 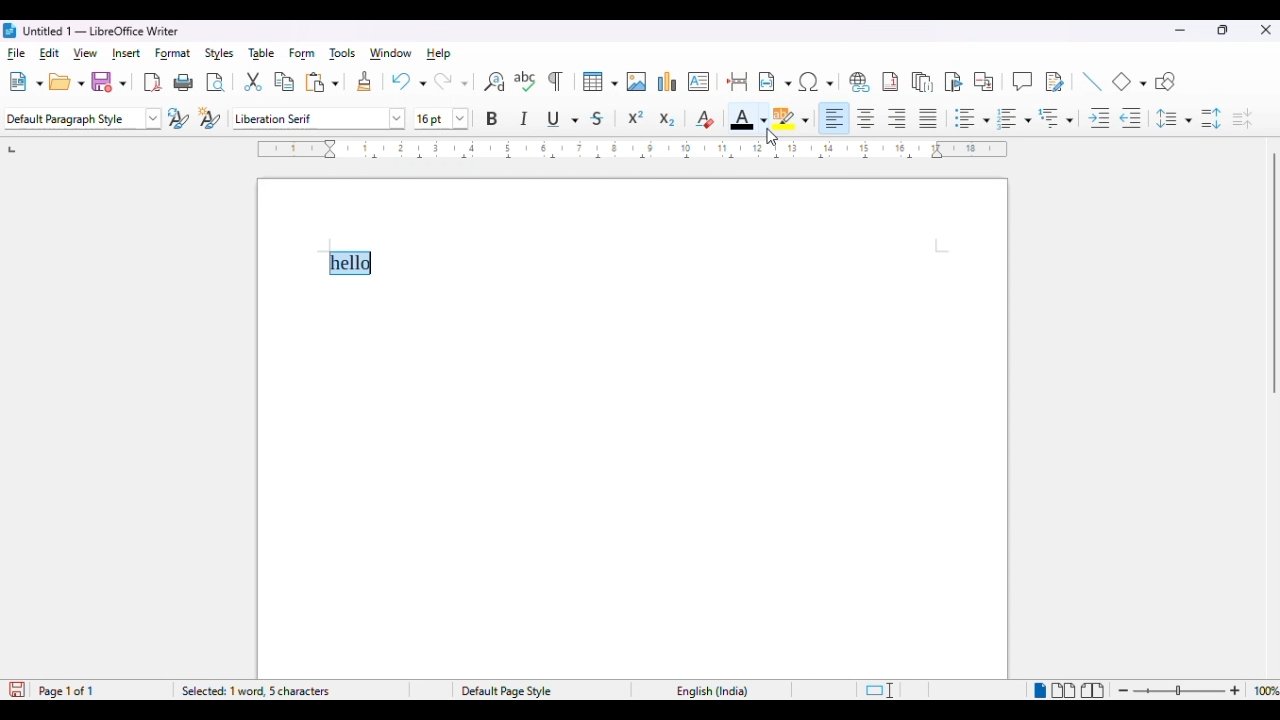 What do you see at coordinates (746, 117) in the screenshot?
I see `font color` at bounding box center [746, 117].